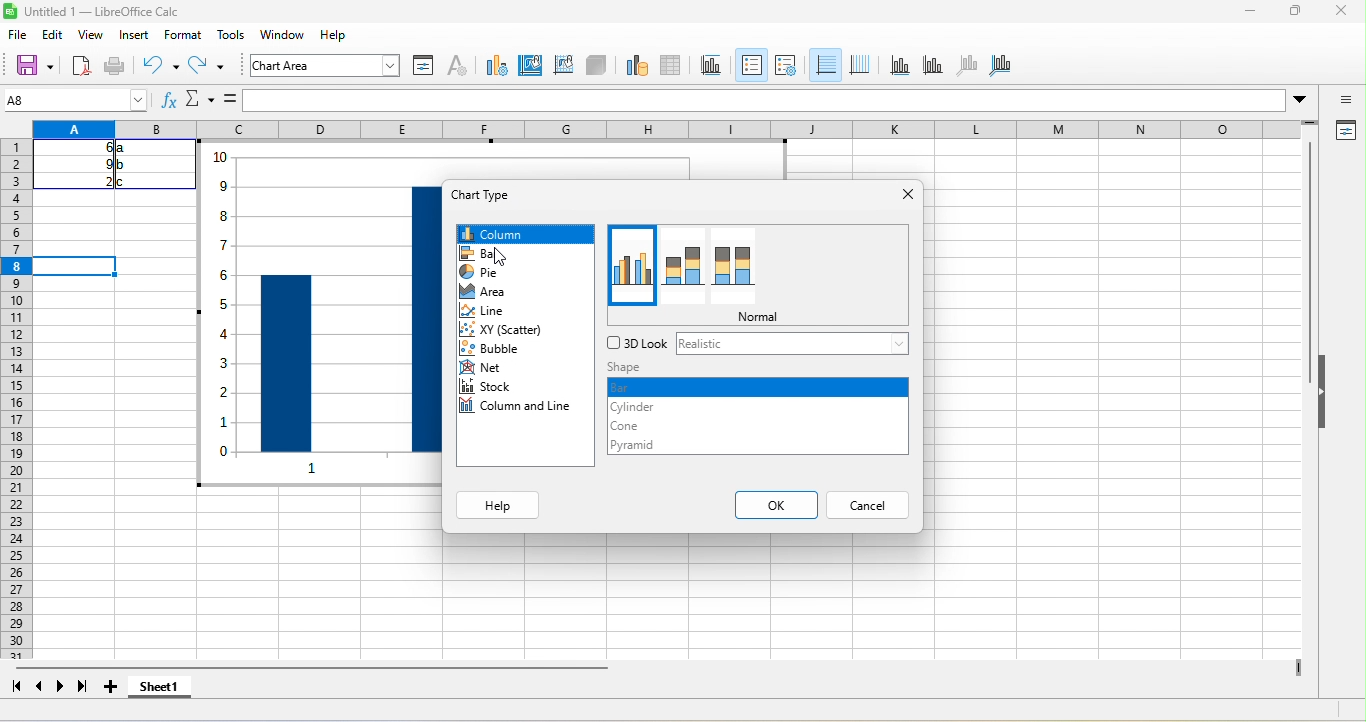 Image resolution: width=1366 pixels, height=722 pixels. What do you see at coordinates (869, 506) in the screenshot?
I see `cancel` at bounding box center [869, 506].